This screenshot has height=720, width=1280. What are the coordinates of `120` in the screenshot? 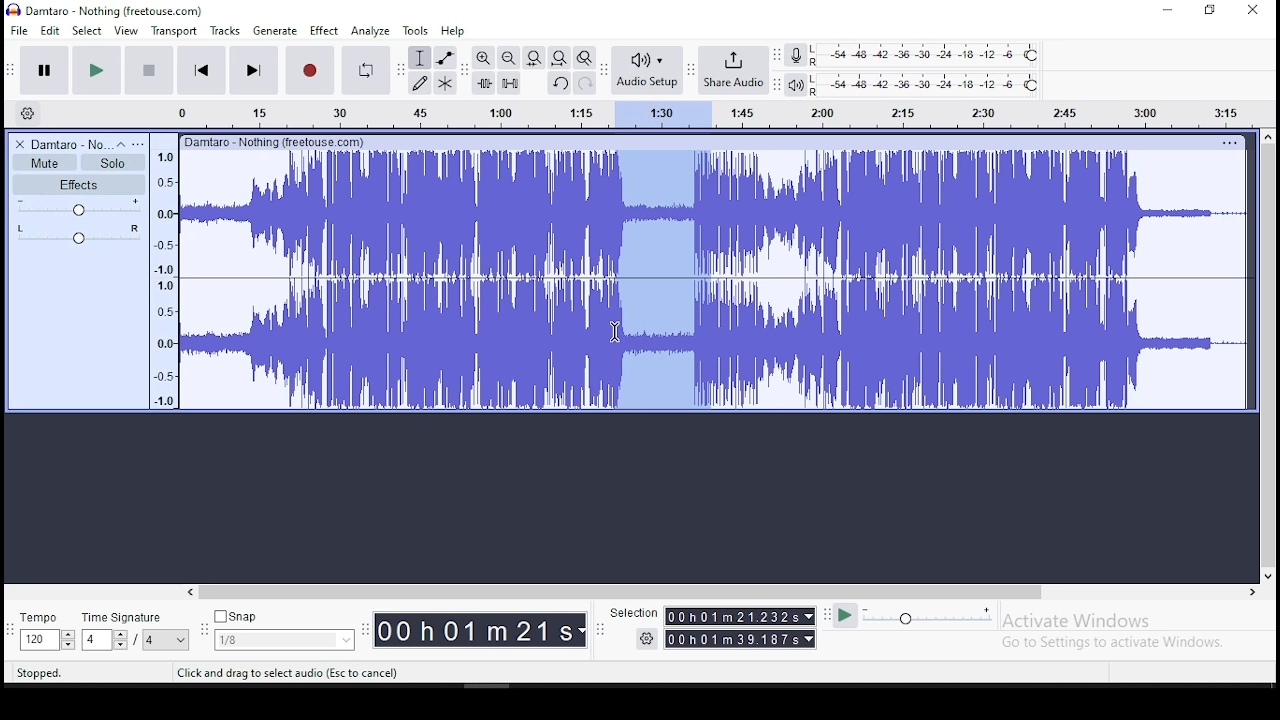 It's located at (38, 641).